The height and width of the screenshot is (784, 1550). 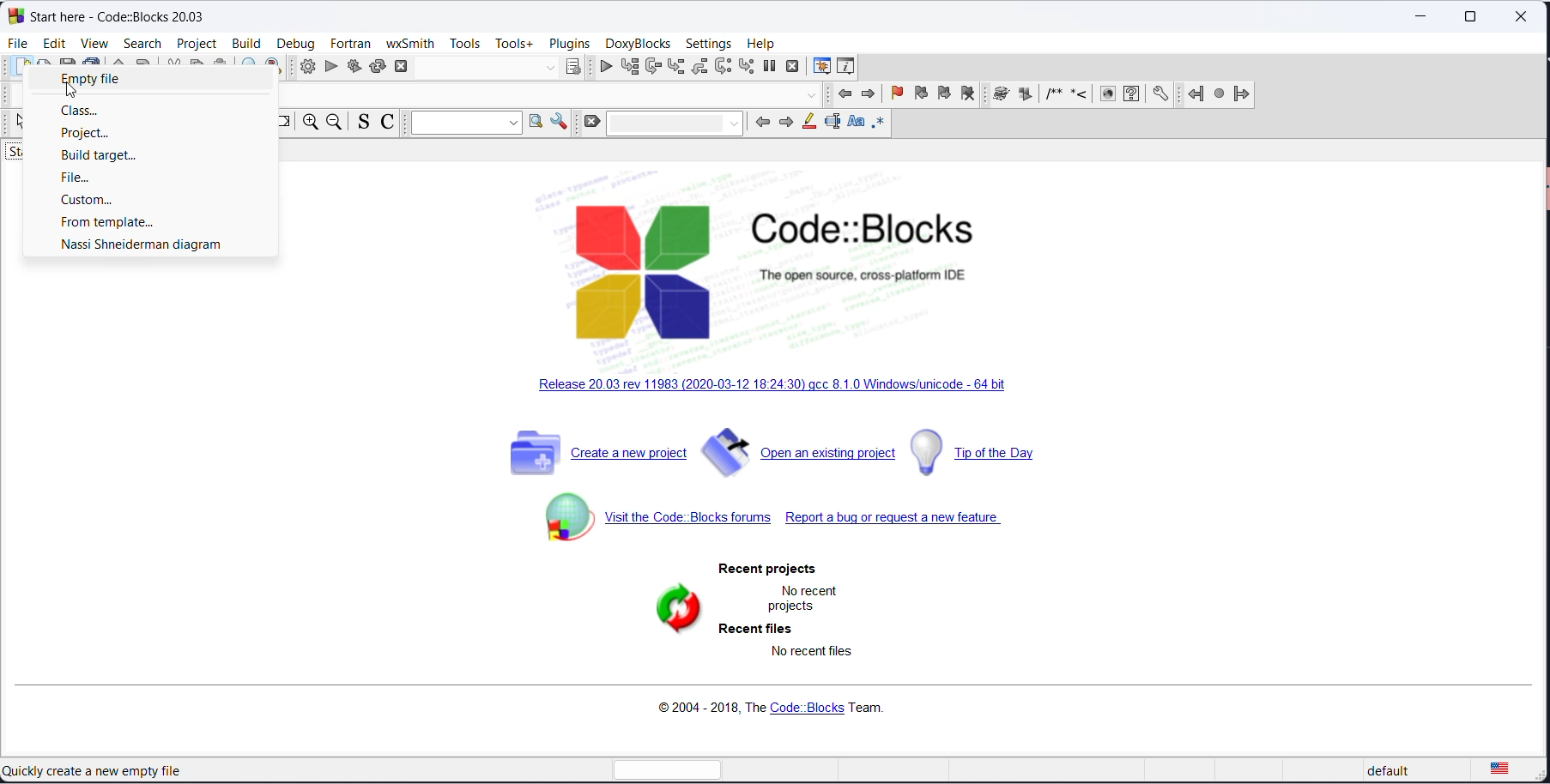 What do you see at coordinates (153, 79) in the screenshot?
I see `empty file` at bounding box center [153, 79].